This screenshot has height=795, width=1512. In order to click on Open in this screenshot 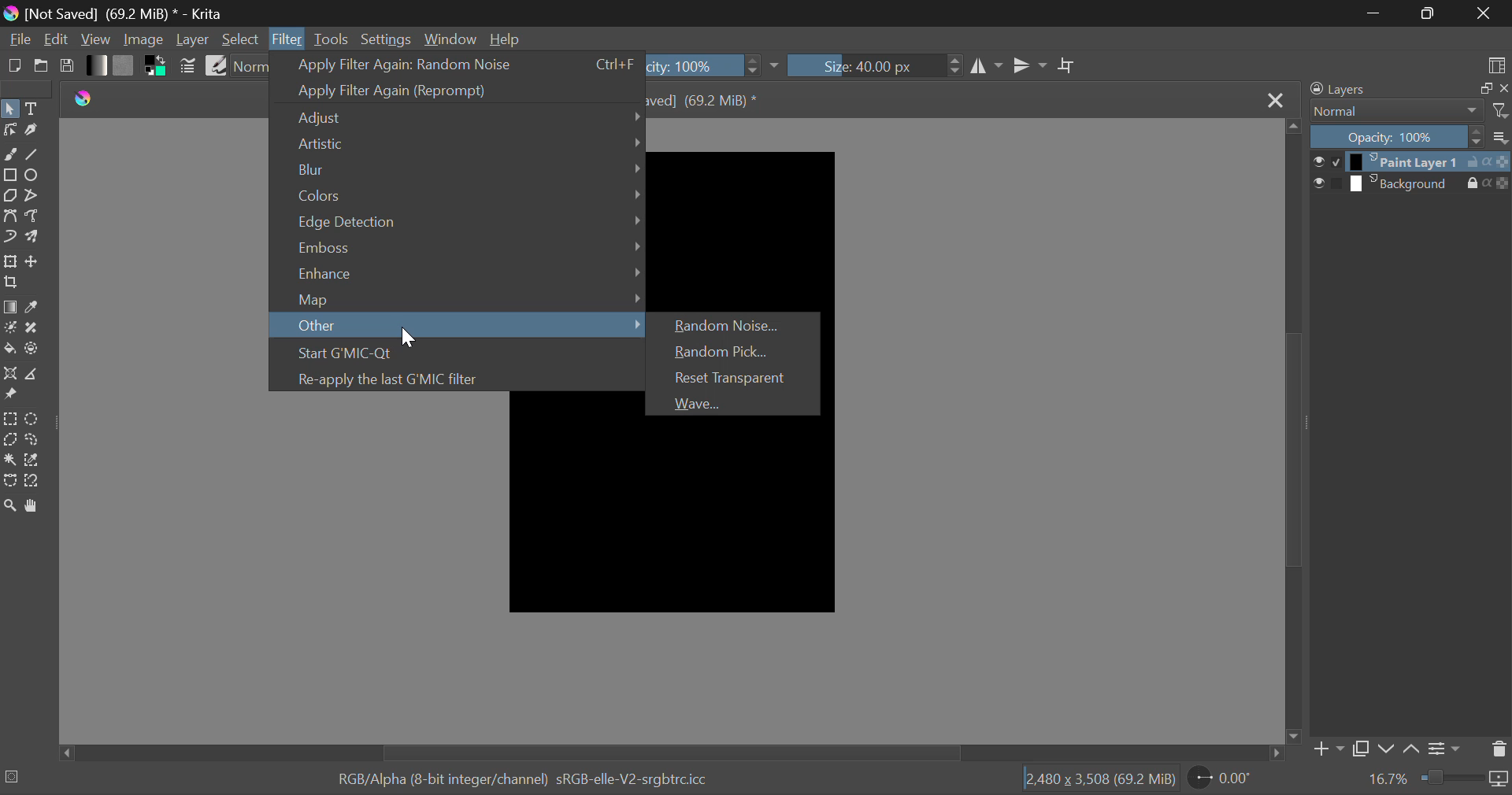, I will do `click(41, 68)`.